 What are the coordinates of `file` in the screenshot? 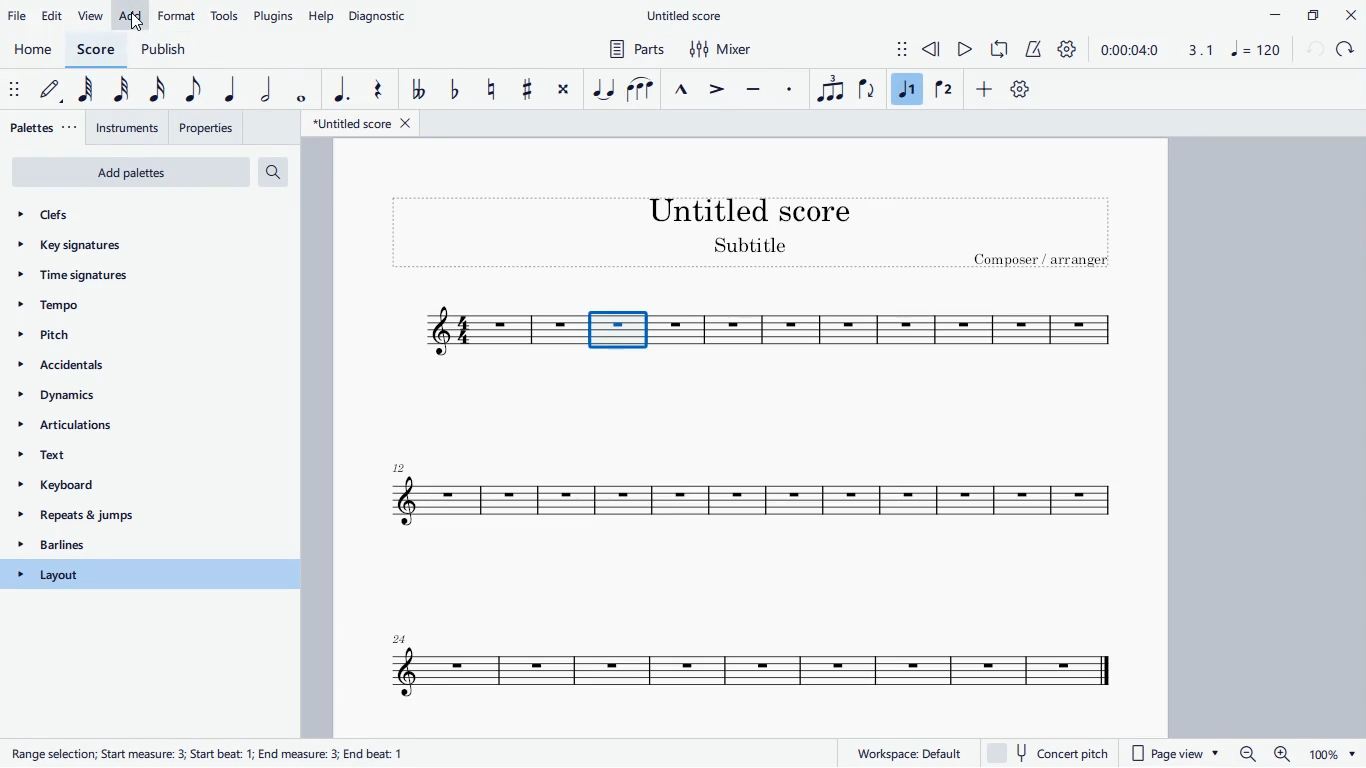 It's located at (18, 16).